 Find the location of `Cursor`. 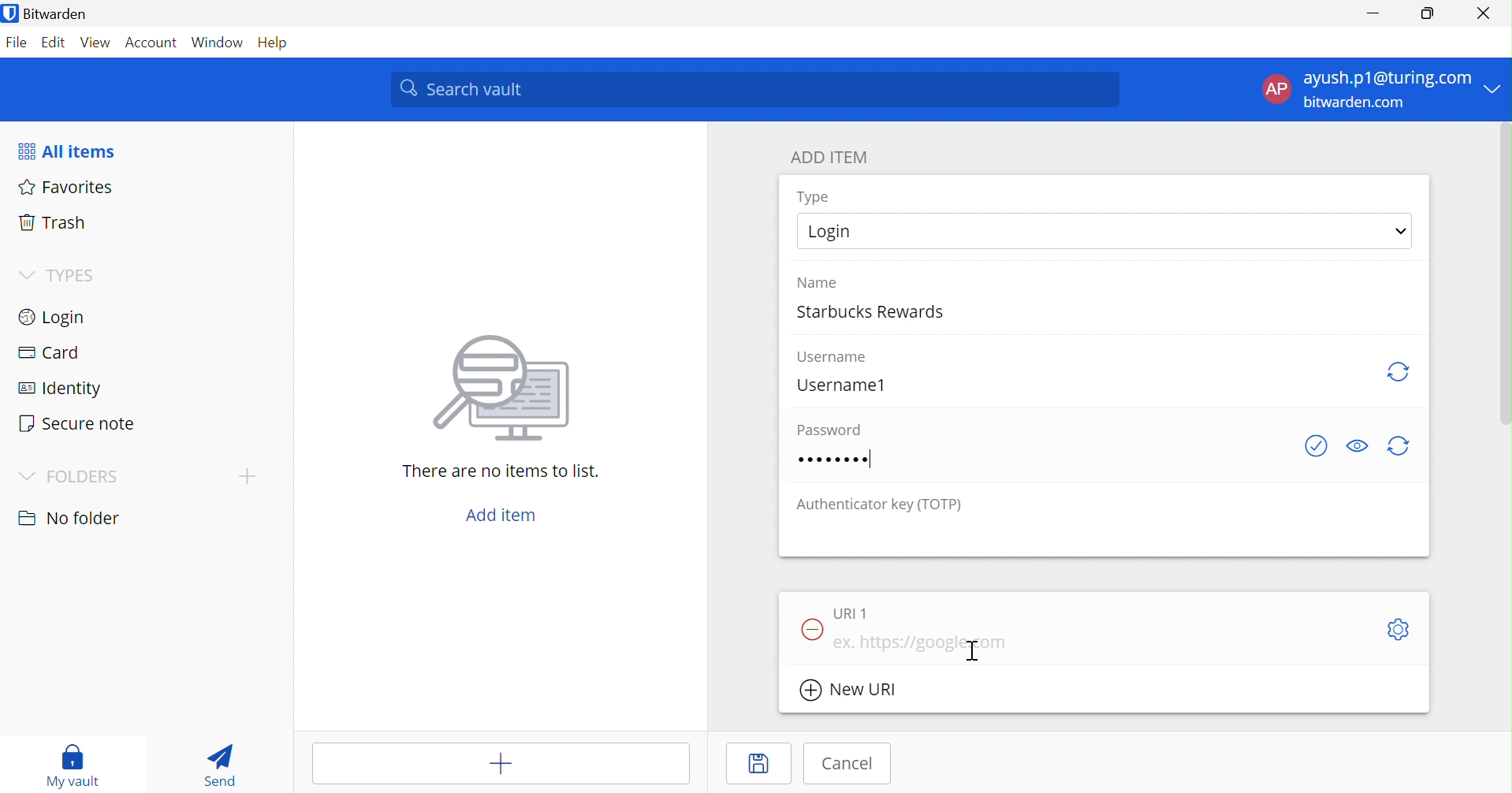

Cursor is located at coordinates (975, 650).